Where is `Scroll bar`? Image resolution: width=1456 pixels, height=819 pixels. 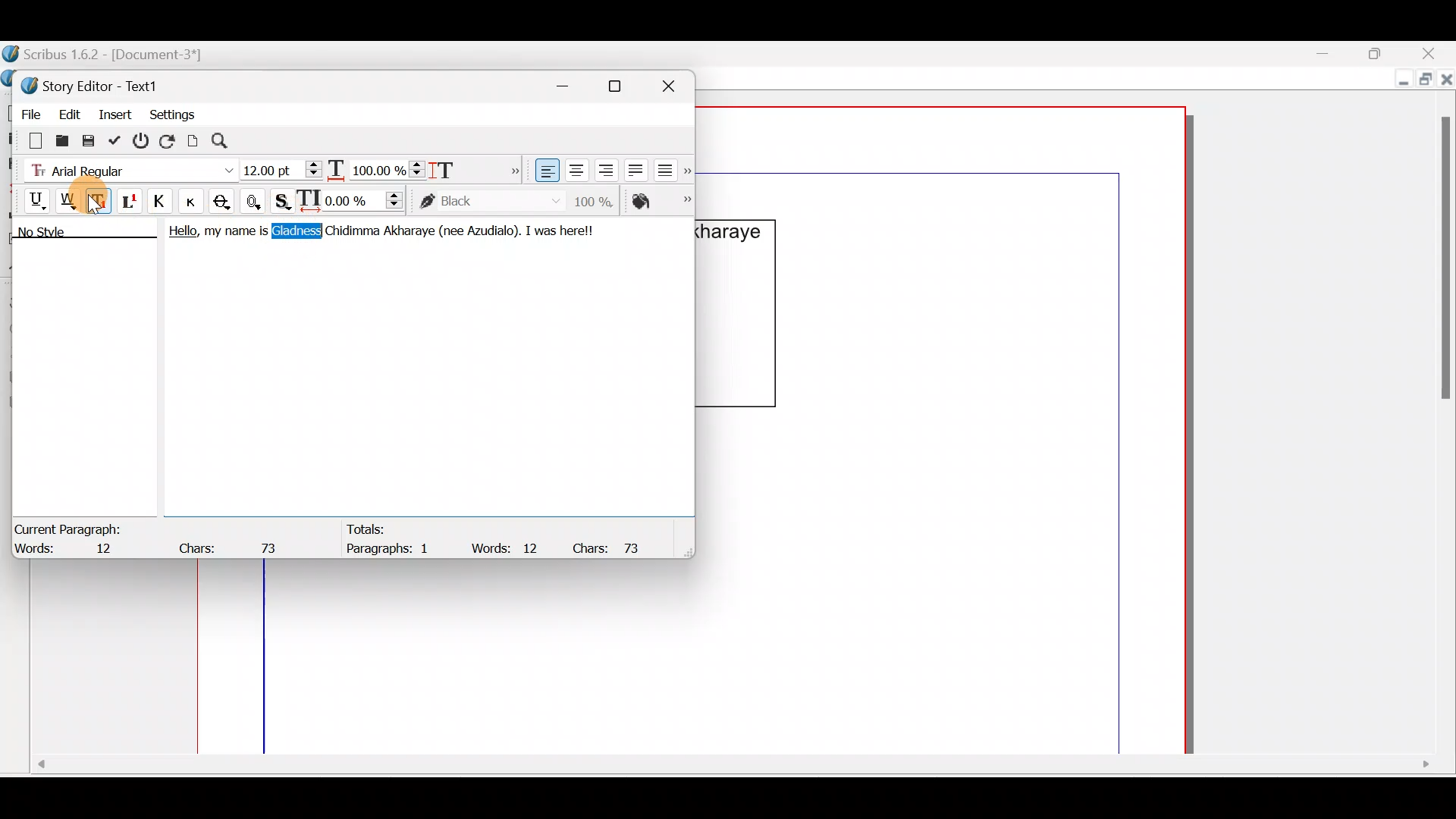
Scroll bar is located at coordinates (730, 770).